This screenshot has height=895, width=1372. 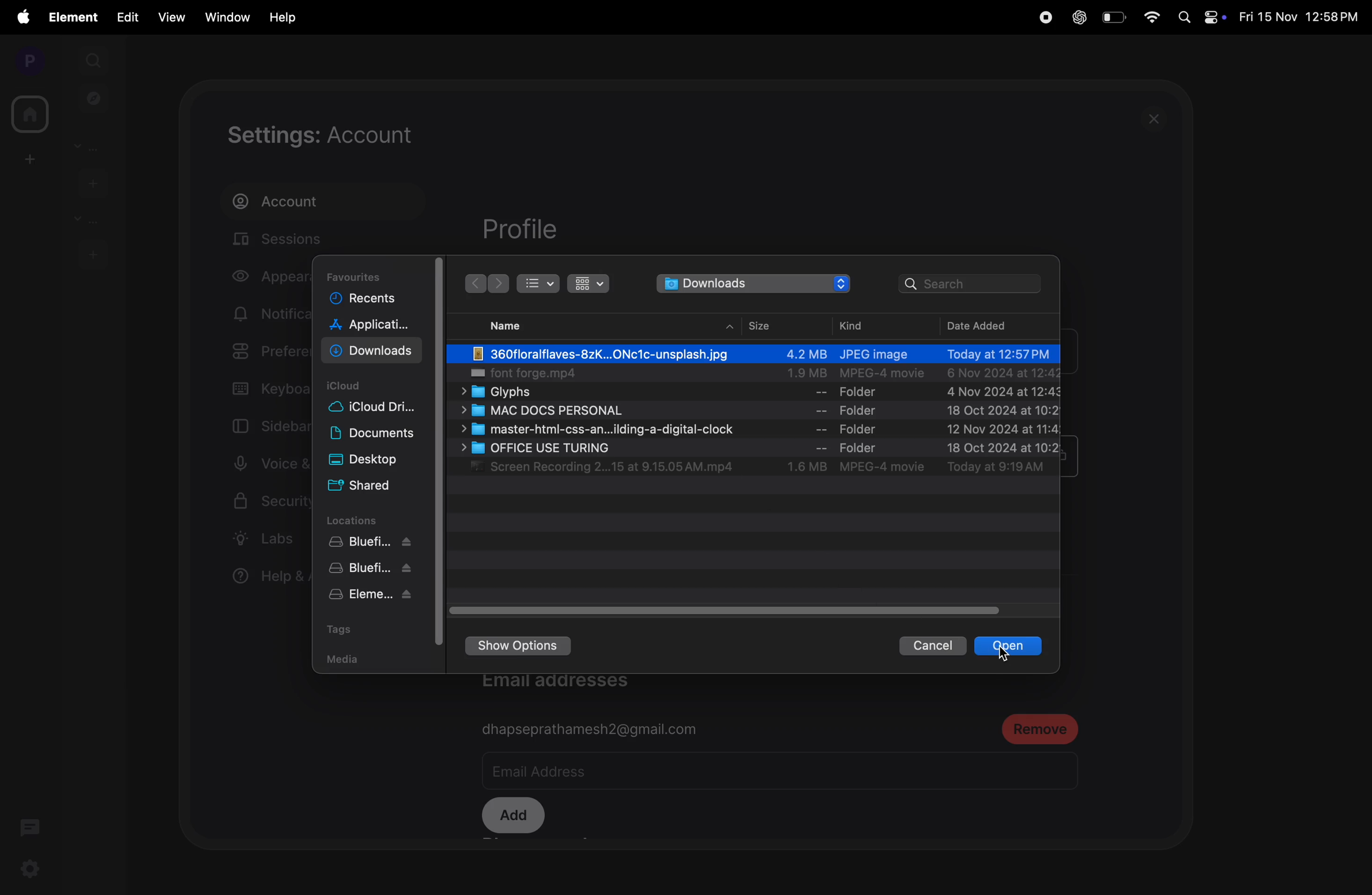 I want to click on chatgpt, so click(x=1077, y=18).